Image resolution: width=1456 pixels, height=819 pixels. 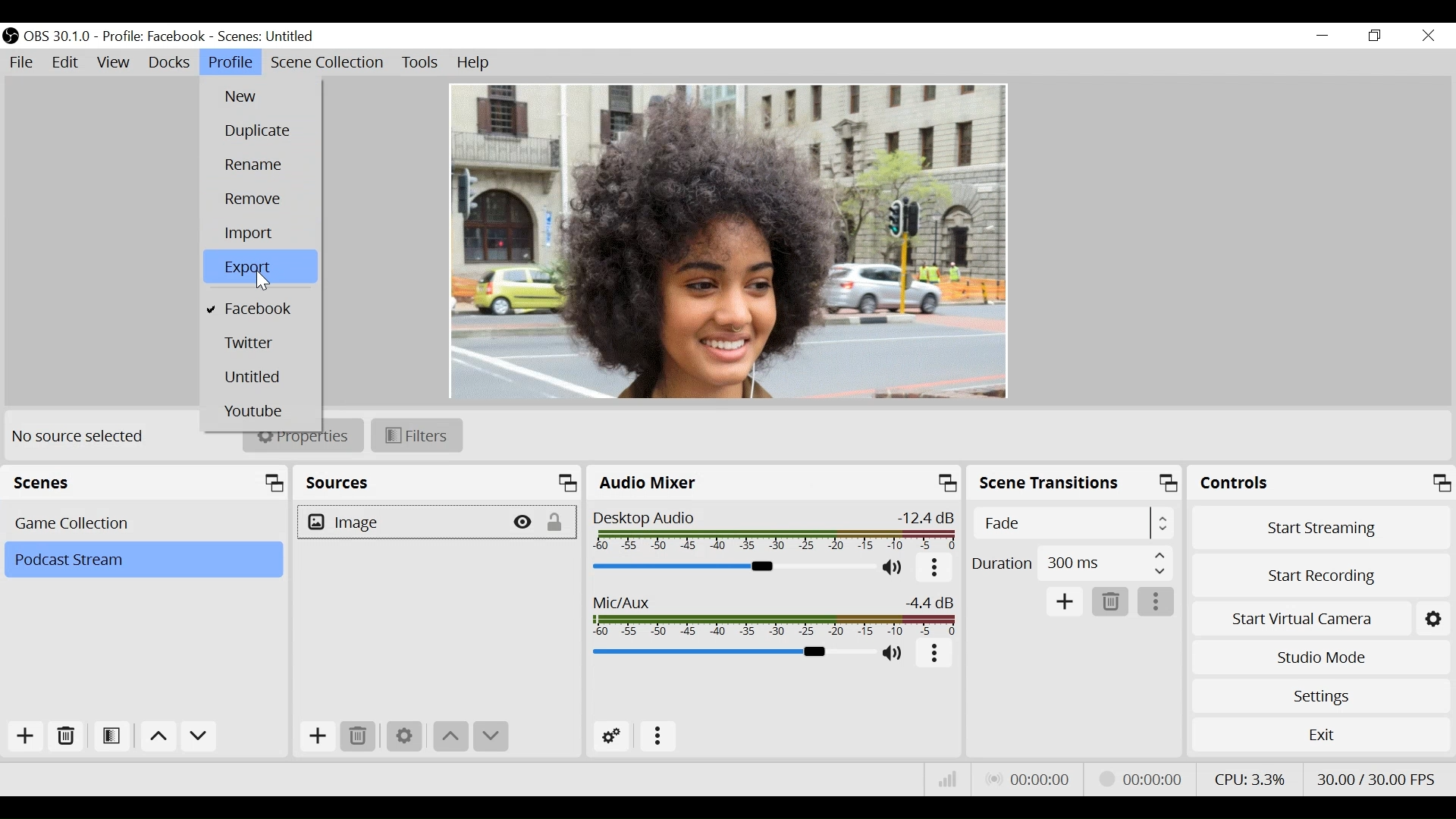 I want to click on Scene, so click(x=144, y=523).